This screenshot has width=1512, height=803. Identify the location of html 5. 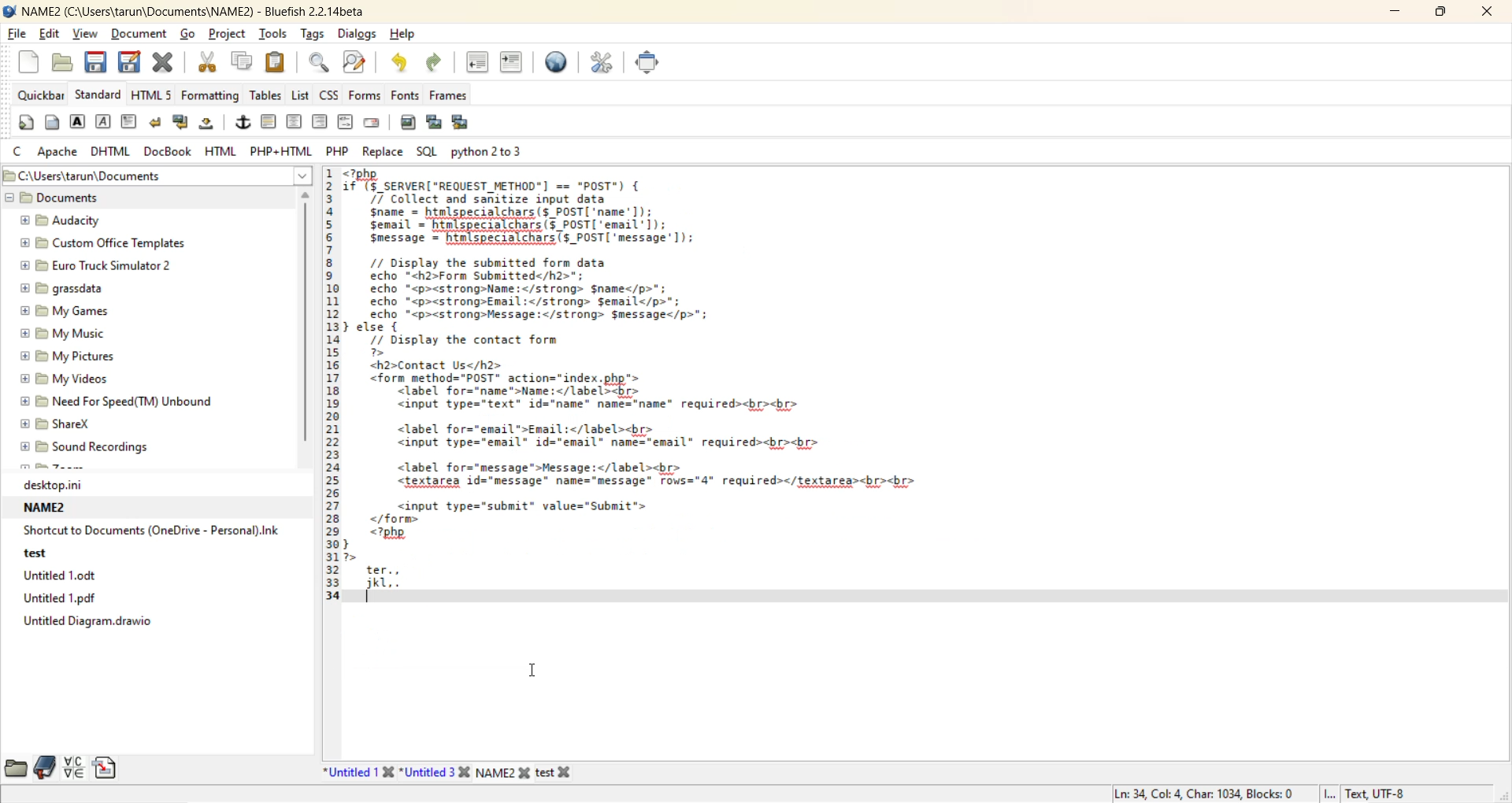
(154, 94).